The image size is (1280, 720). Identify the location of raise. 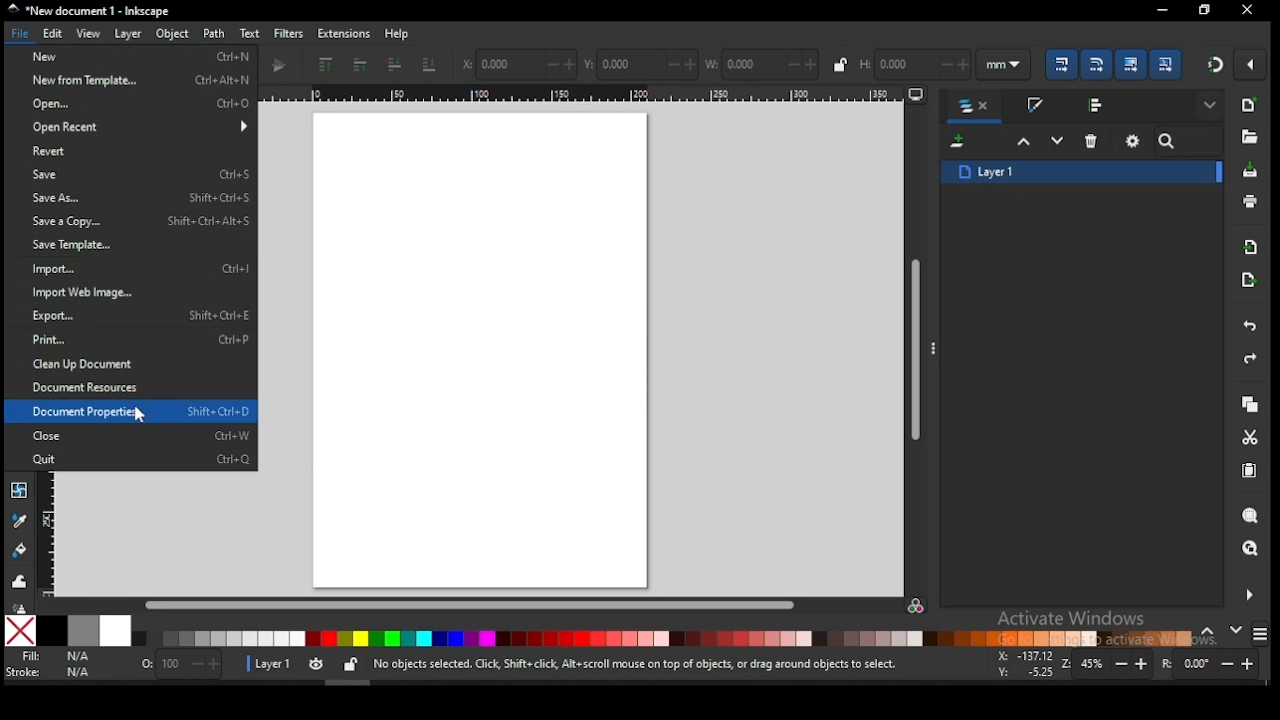
(357, 66).